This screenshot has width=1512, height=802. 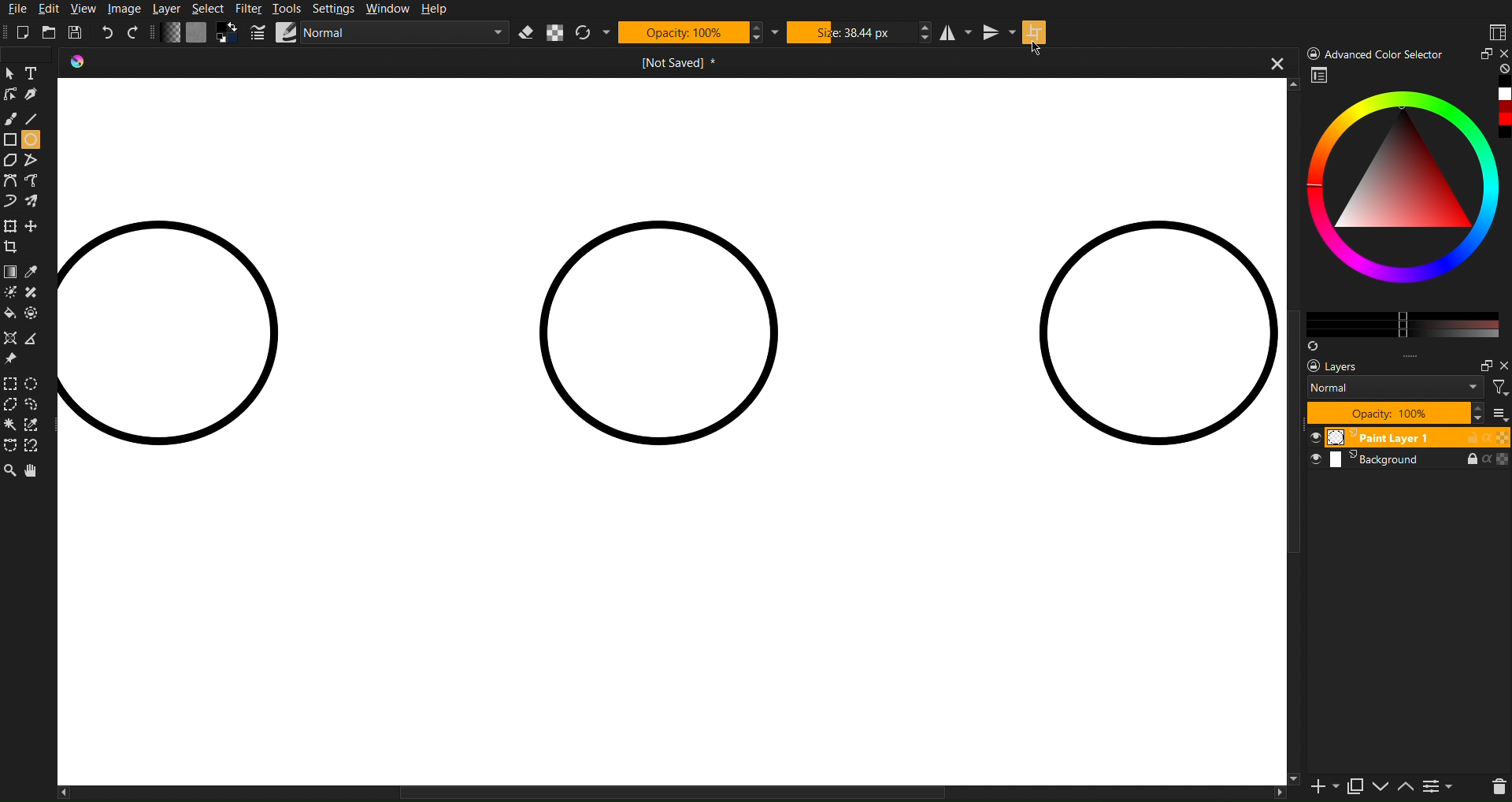 I want to click on Select, so click(x=208, y=8).